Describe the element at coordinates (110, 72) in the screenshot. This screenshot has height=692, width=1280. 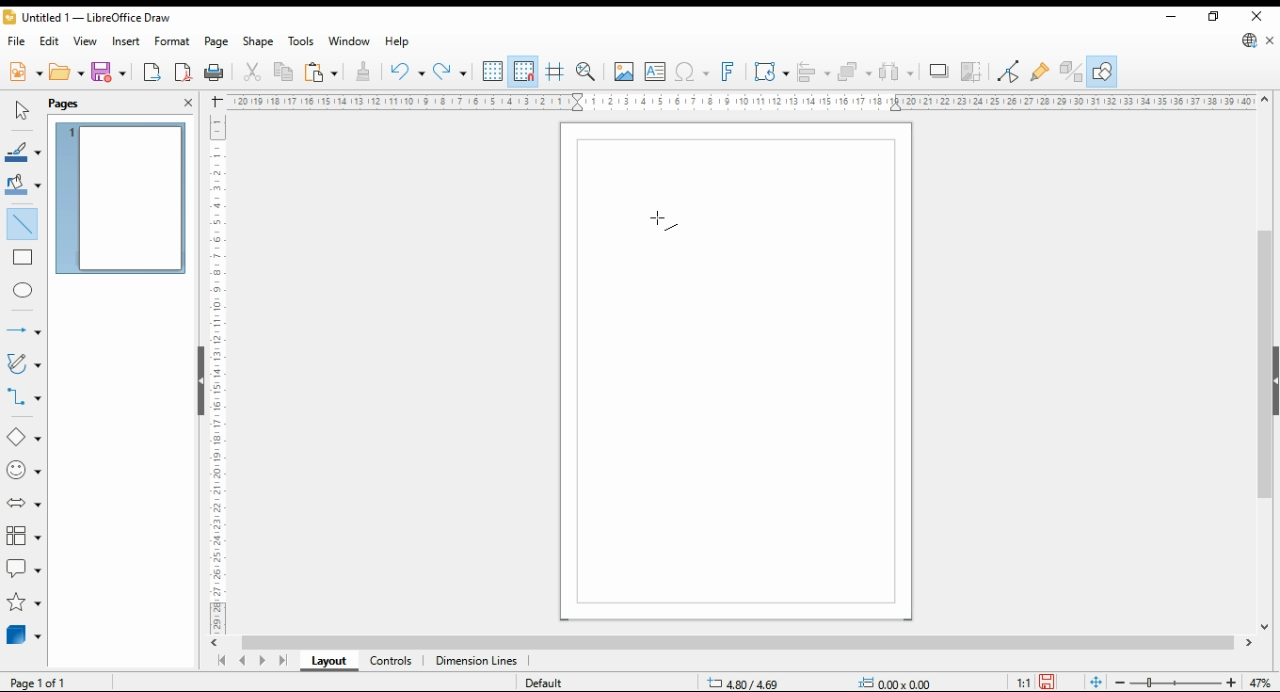
I see `save` at that location.